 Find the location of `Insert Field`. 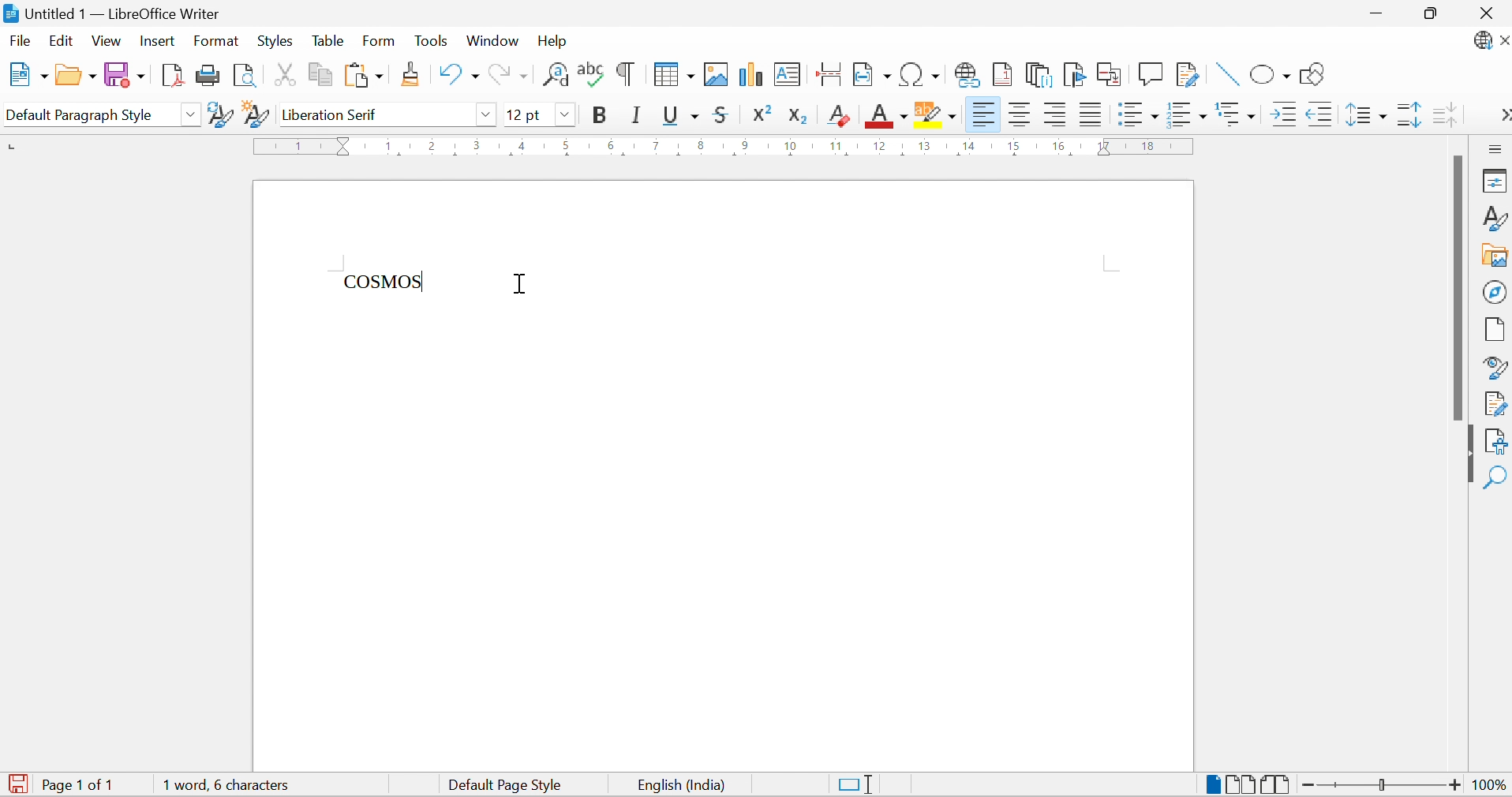

Insert Field is located at coordinates (871, 73).